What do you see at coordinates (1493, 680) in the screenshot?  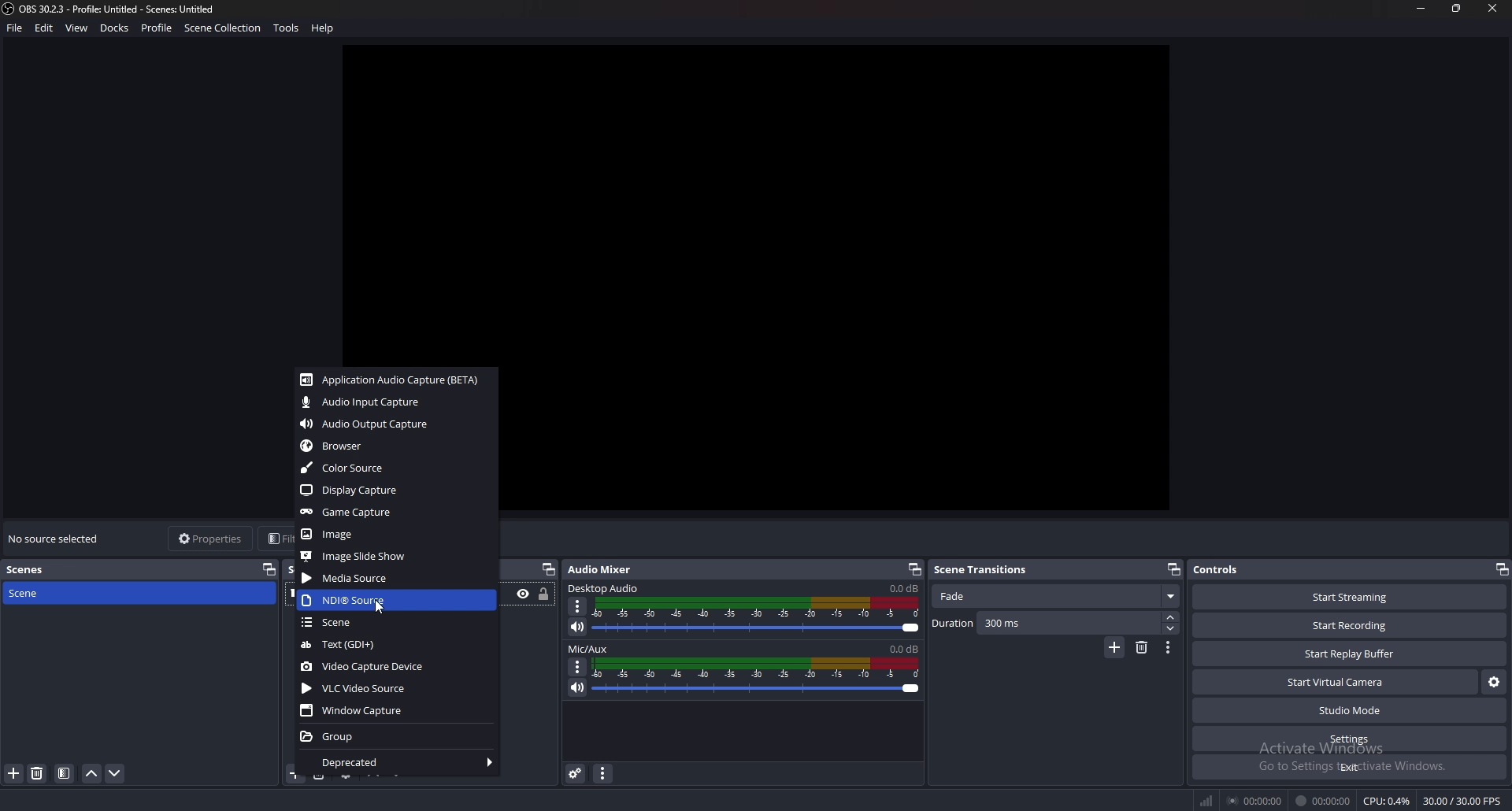 I see `Configure virtual camera` at bounding box center [1493, 680].